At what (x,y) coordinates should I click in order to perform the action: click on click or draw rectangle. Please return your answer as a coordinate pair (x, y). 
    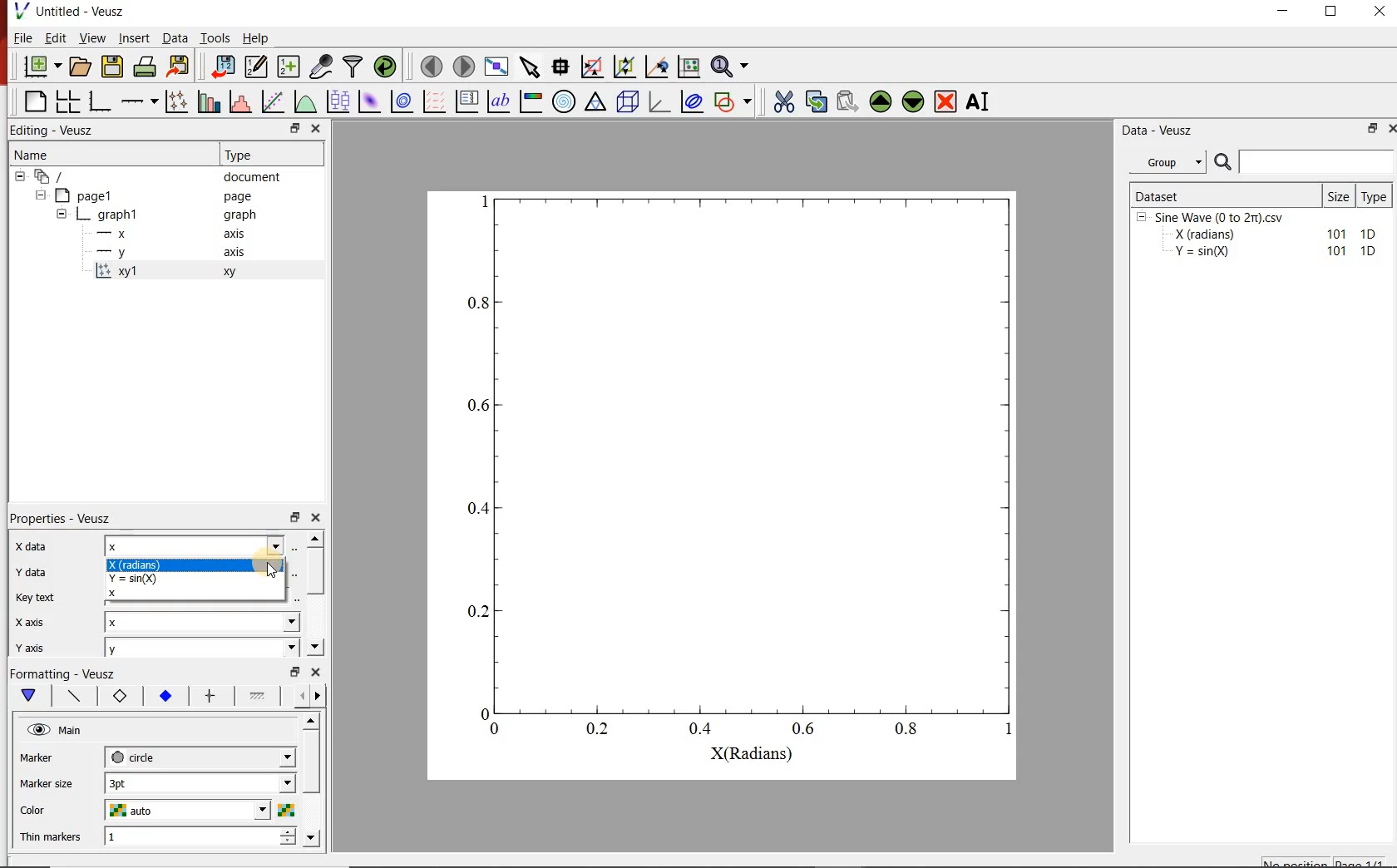
    Looking at the image, I should click on (592, 65).